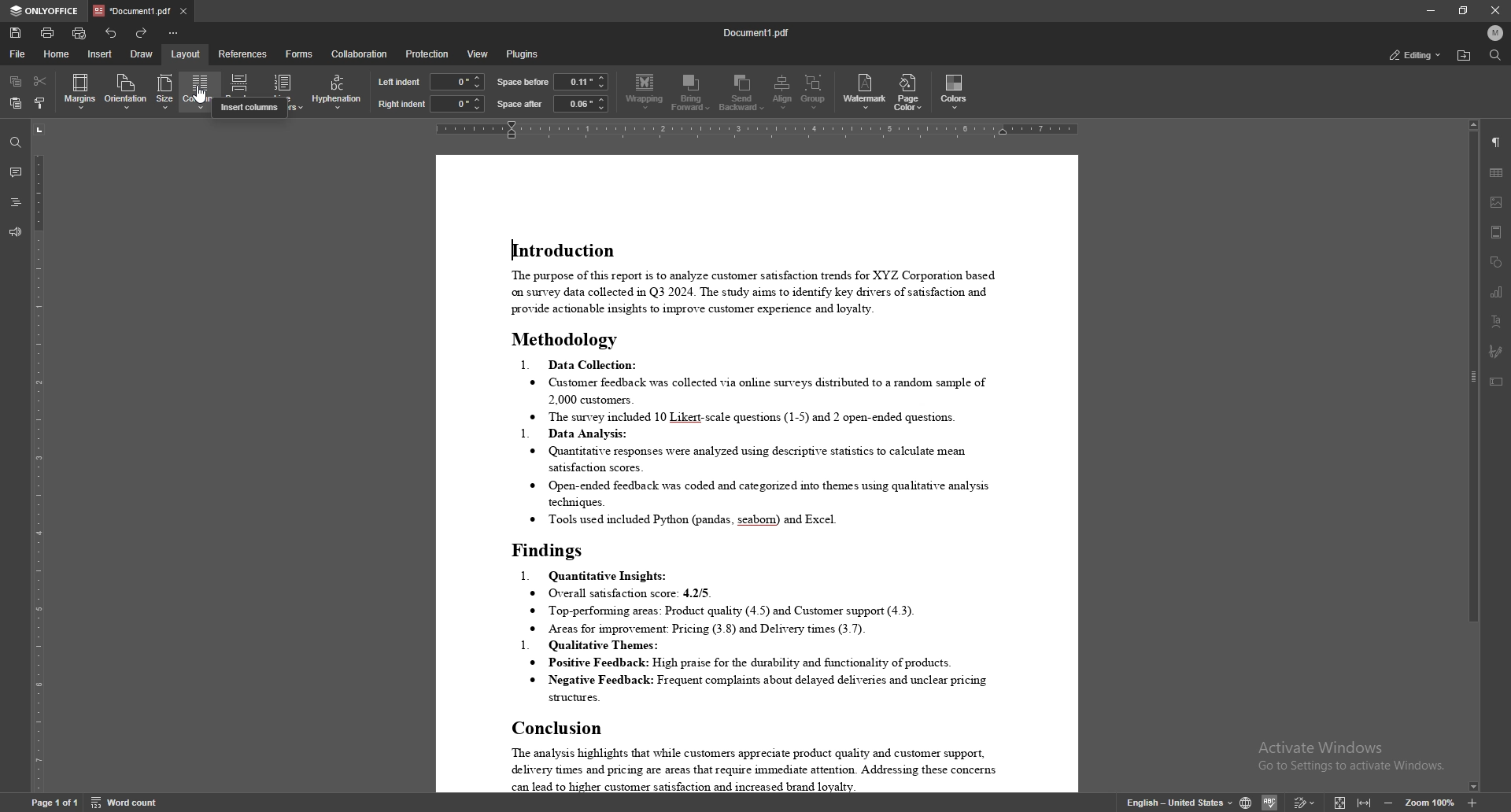  What do you see at coordinates (39, 81) in the screenshot?
I see `cut` at bounding box center [39, 81].